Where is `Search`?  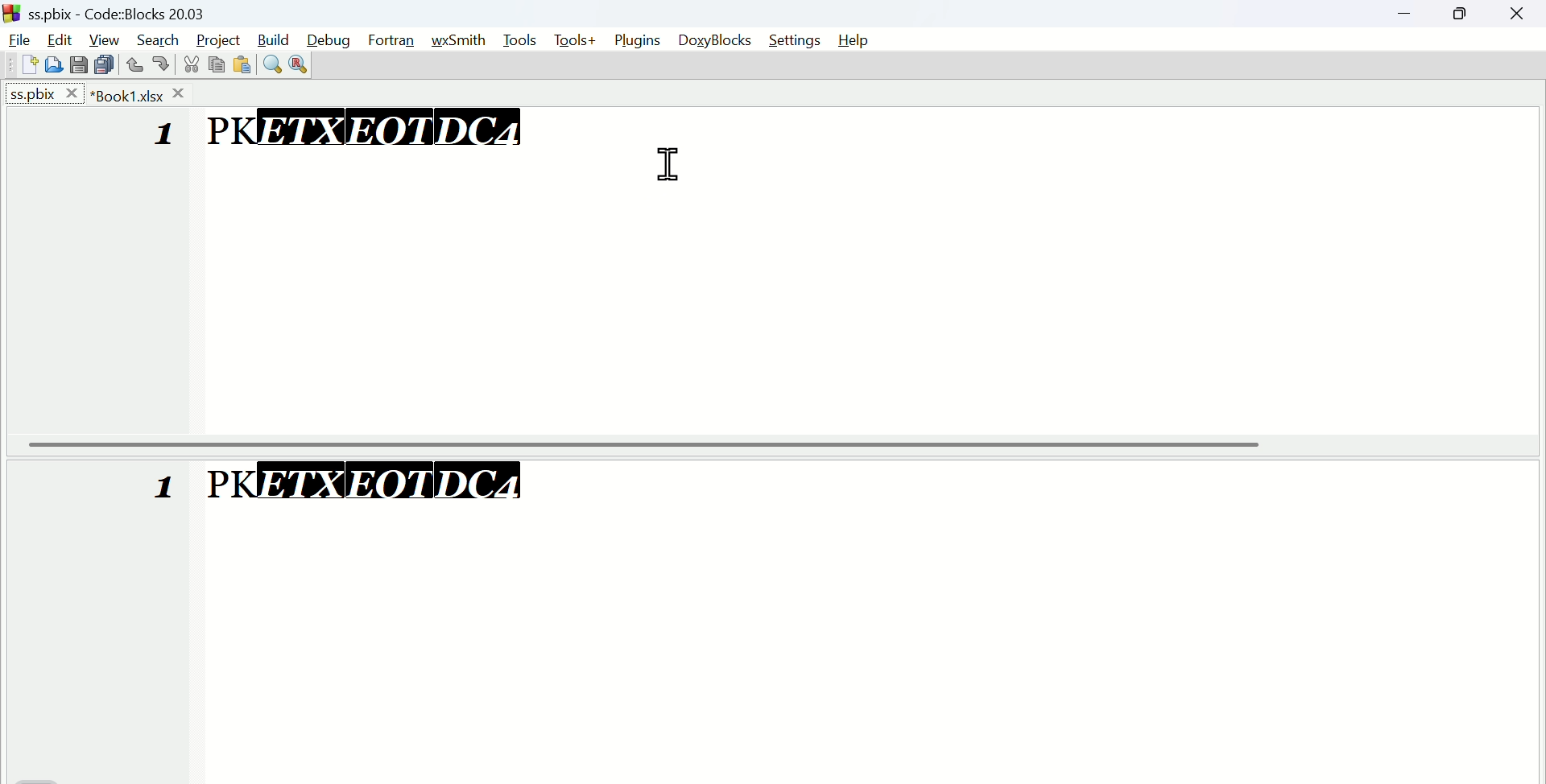
Search is located at coordinates (158, 38).